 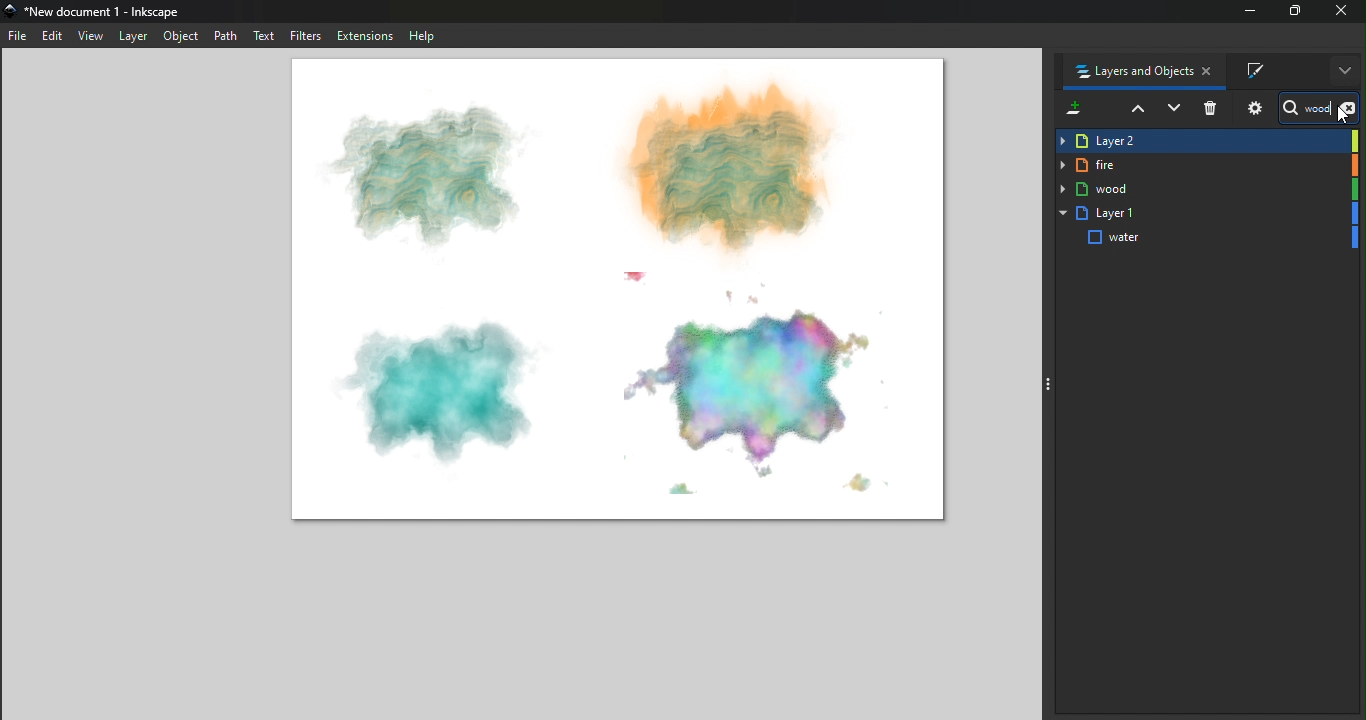 I want to click on Filters, so click(x=307, y=35).